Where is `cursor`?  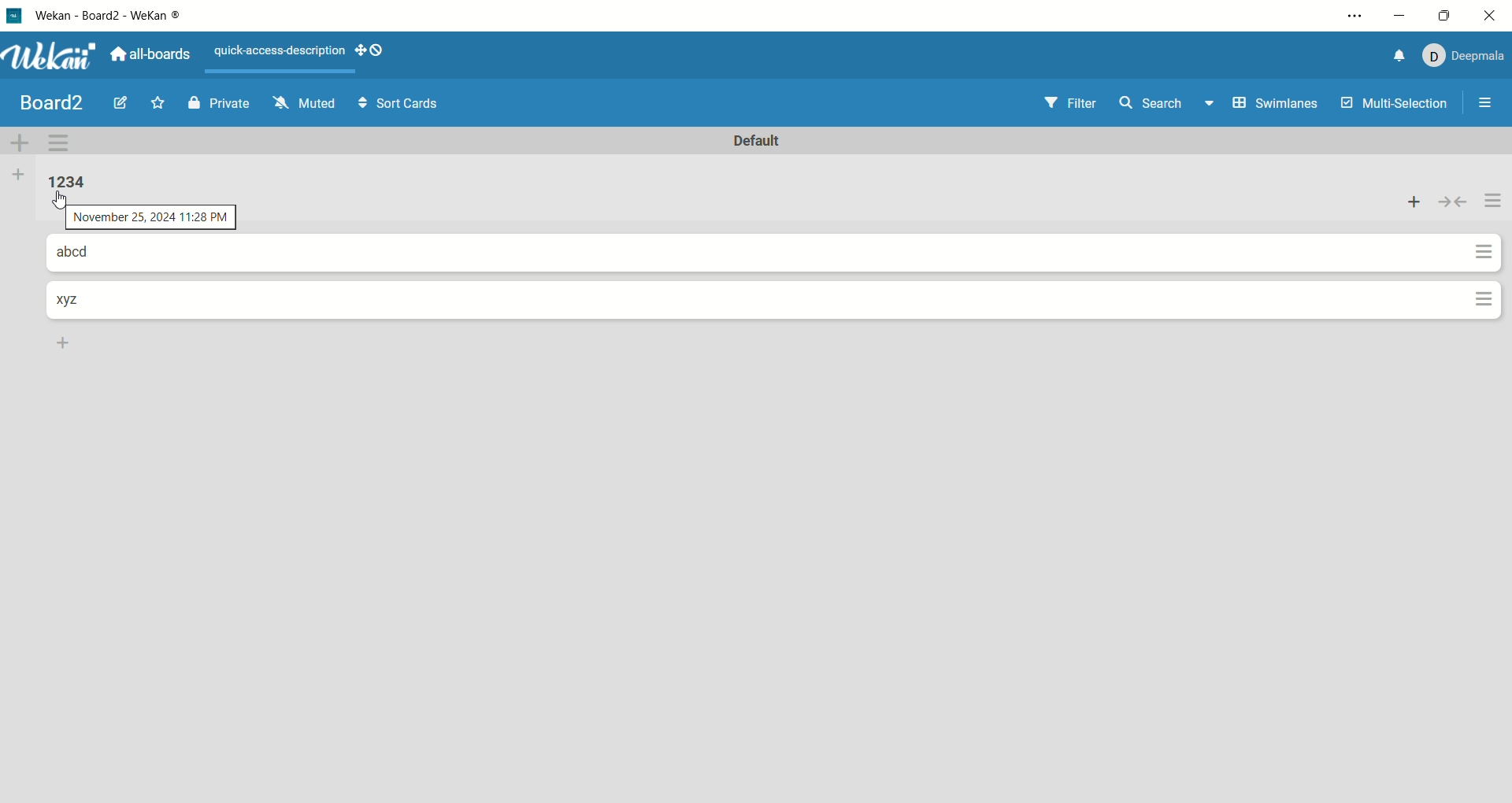
cursor is located at coordinates (61, 202).